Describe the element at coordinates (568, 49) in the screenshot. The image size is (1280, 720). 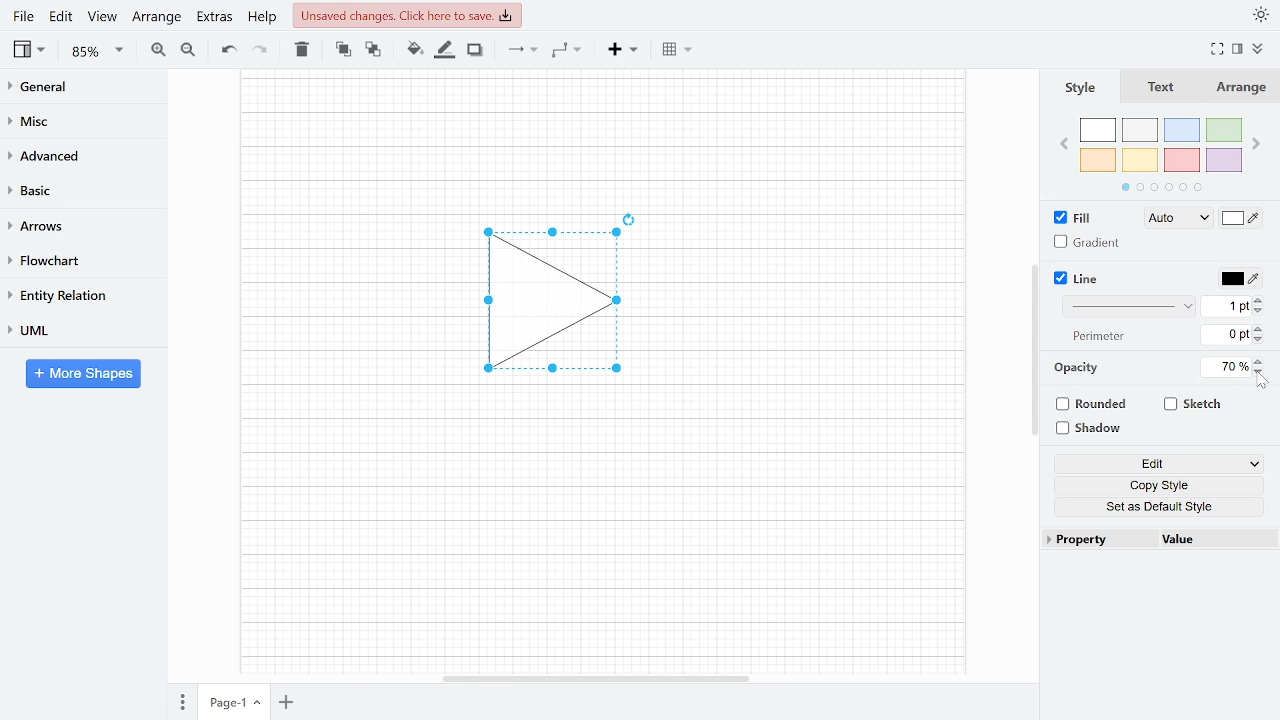
I see `Waypoints` at that location.